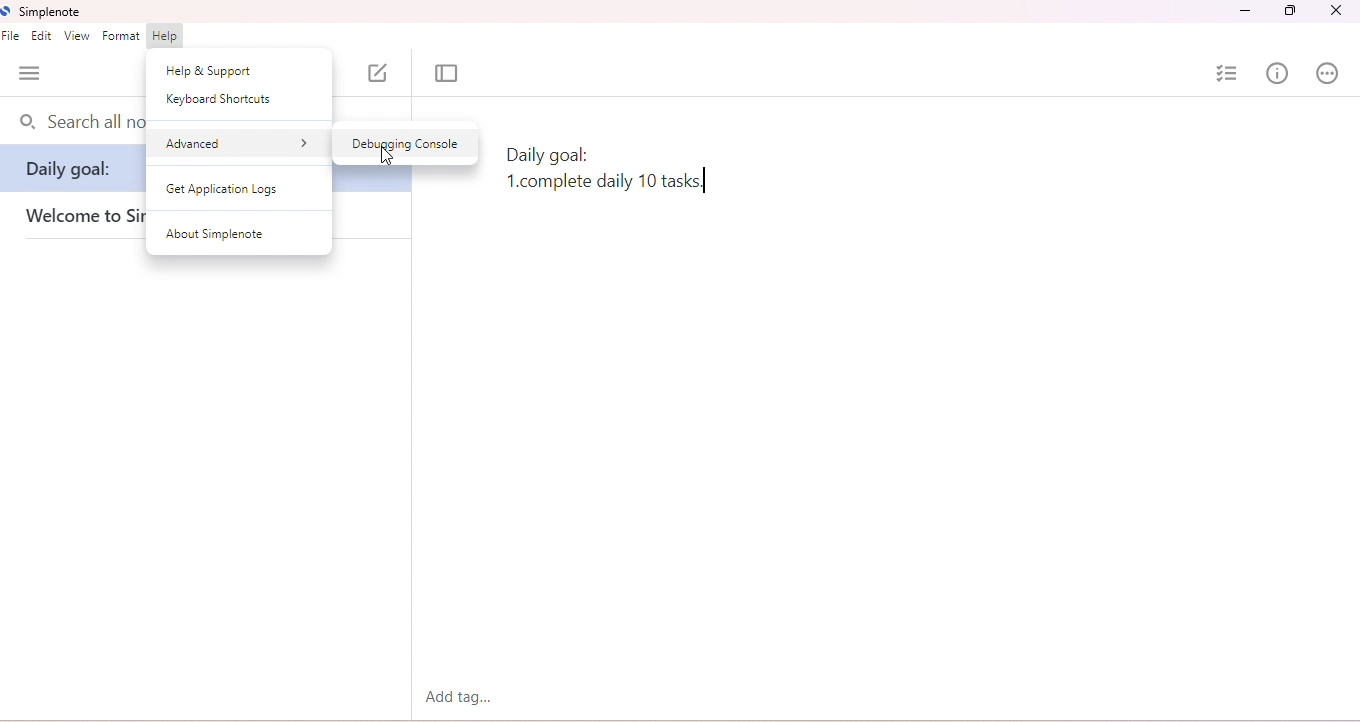 The height and width of the screenshot is (722, 1360). I want to click on welcome simplenote, so click(80, 217).